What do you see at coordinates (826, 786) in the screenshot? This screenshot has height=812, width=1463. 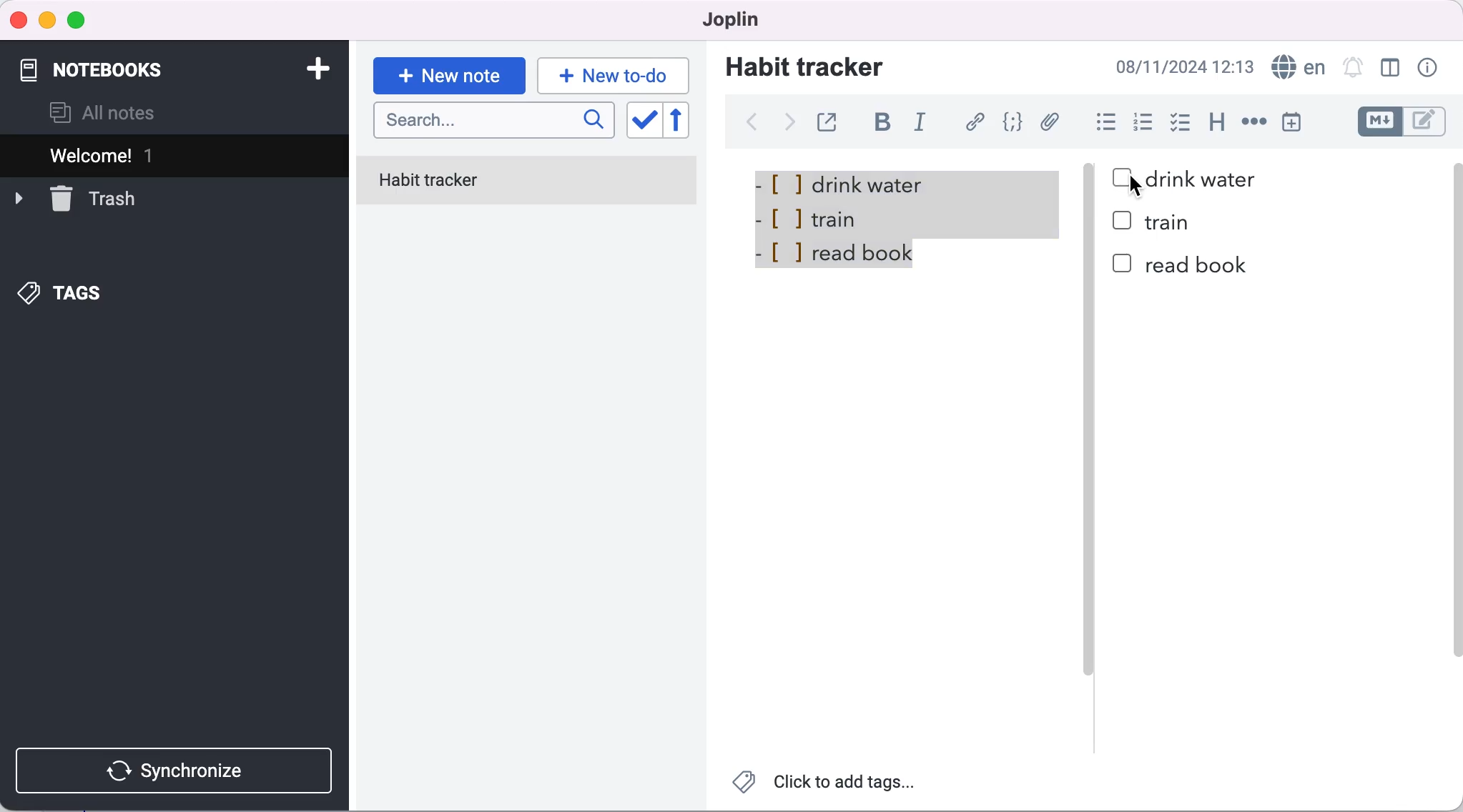 I see `click to add tags` at bounding box center [826, 786].